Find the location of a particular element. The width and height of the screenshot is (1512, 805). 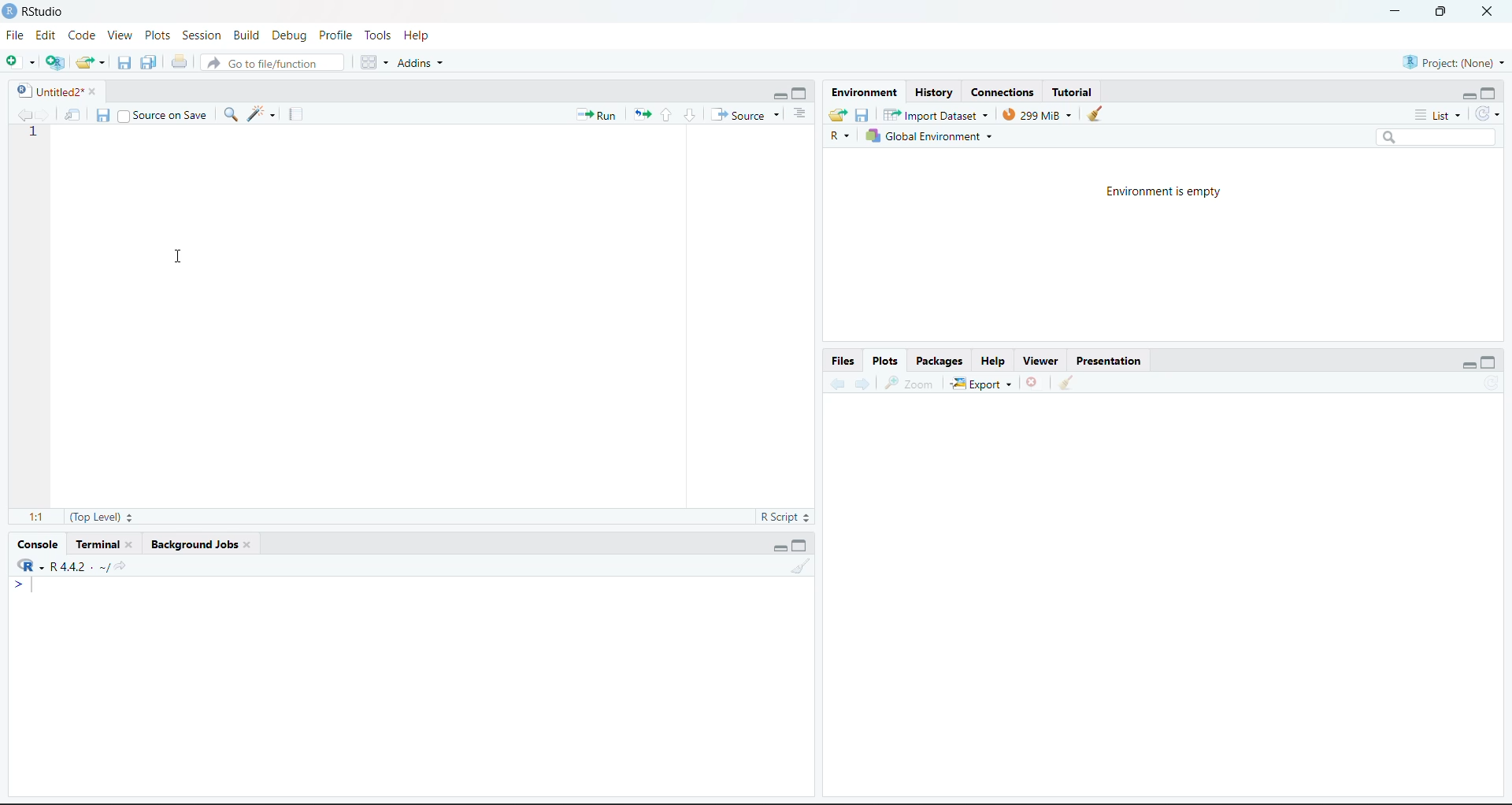

Session is located at coordinates (203, 35).